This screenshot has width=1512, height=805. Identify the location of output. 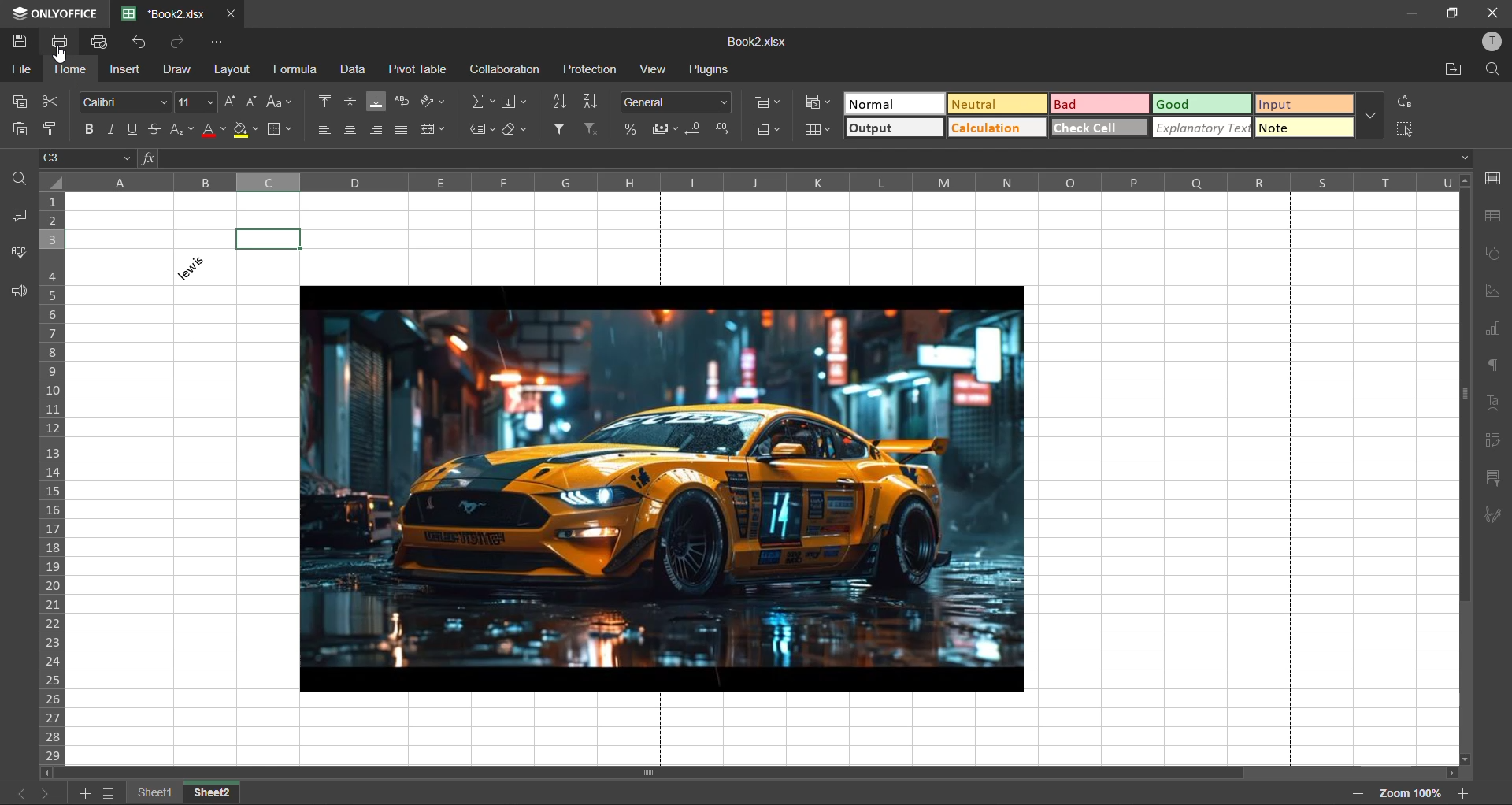
(898, 129).